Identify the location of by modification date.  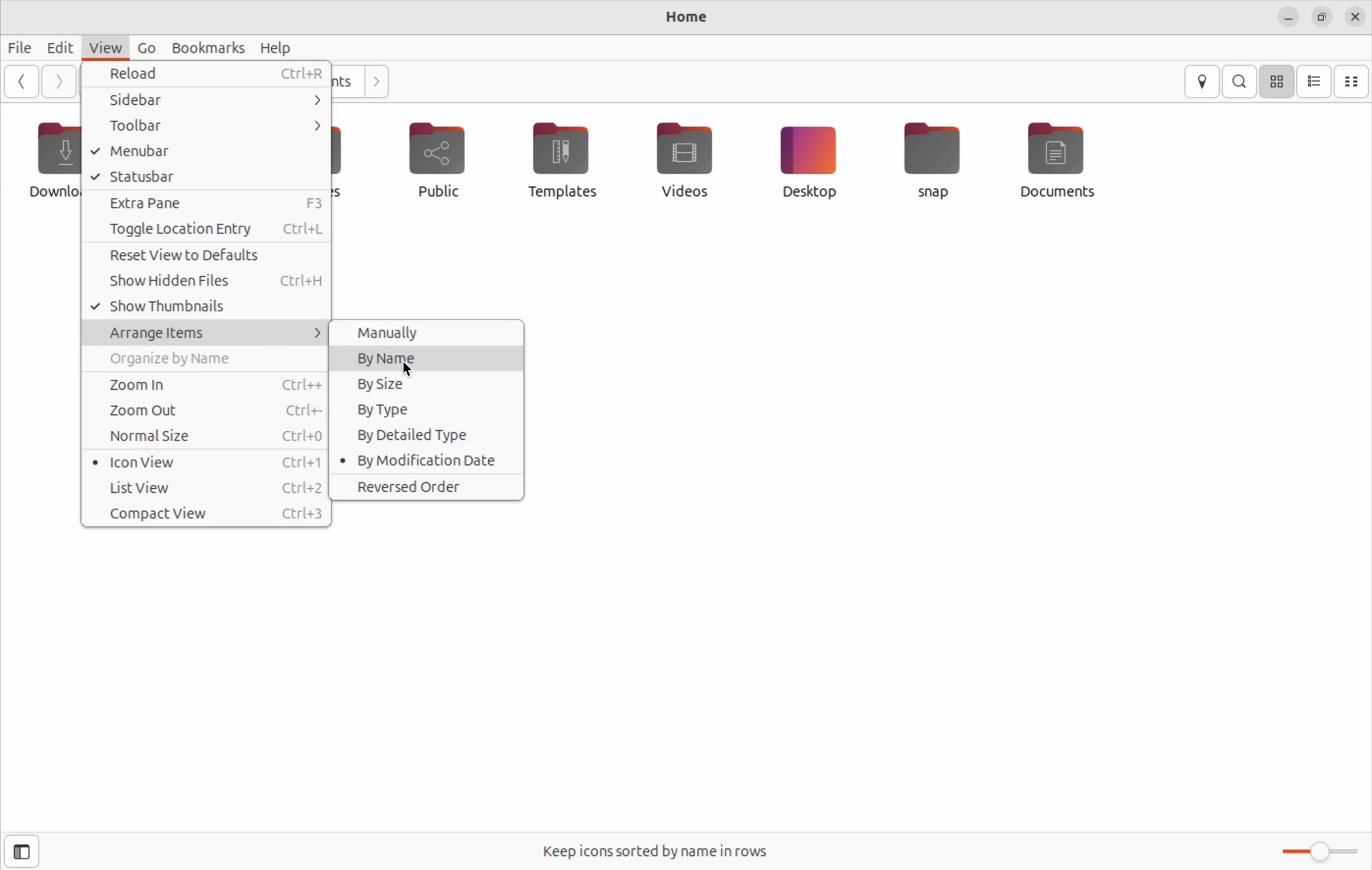
(424, 461).